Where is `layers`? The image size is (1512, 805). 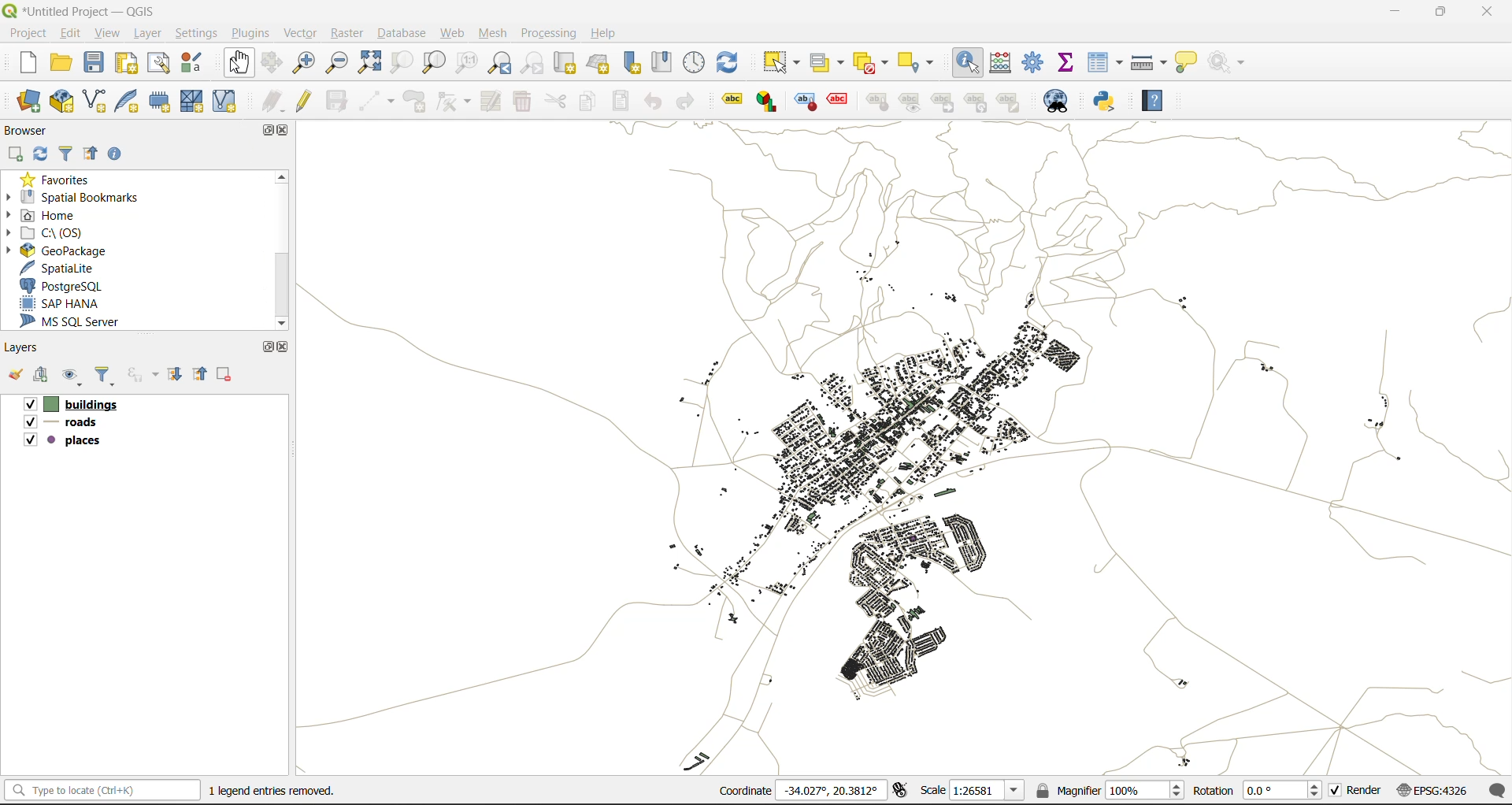
layers is located at coordinates (906, 448).